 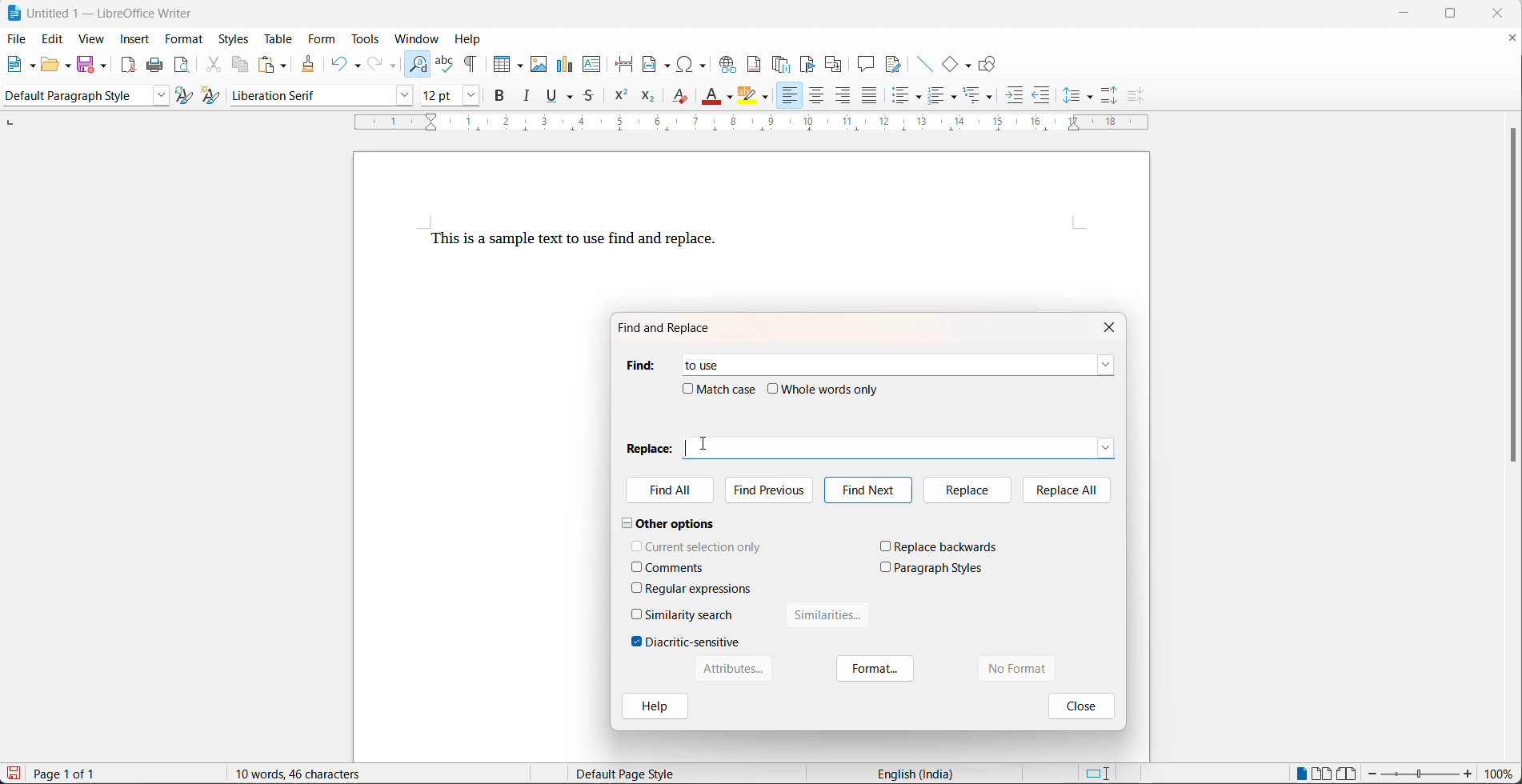 What do you see at coordinates (135, 38) in the screenshot?
I see `insert` at bounding box center [135, 38].